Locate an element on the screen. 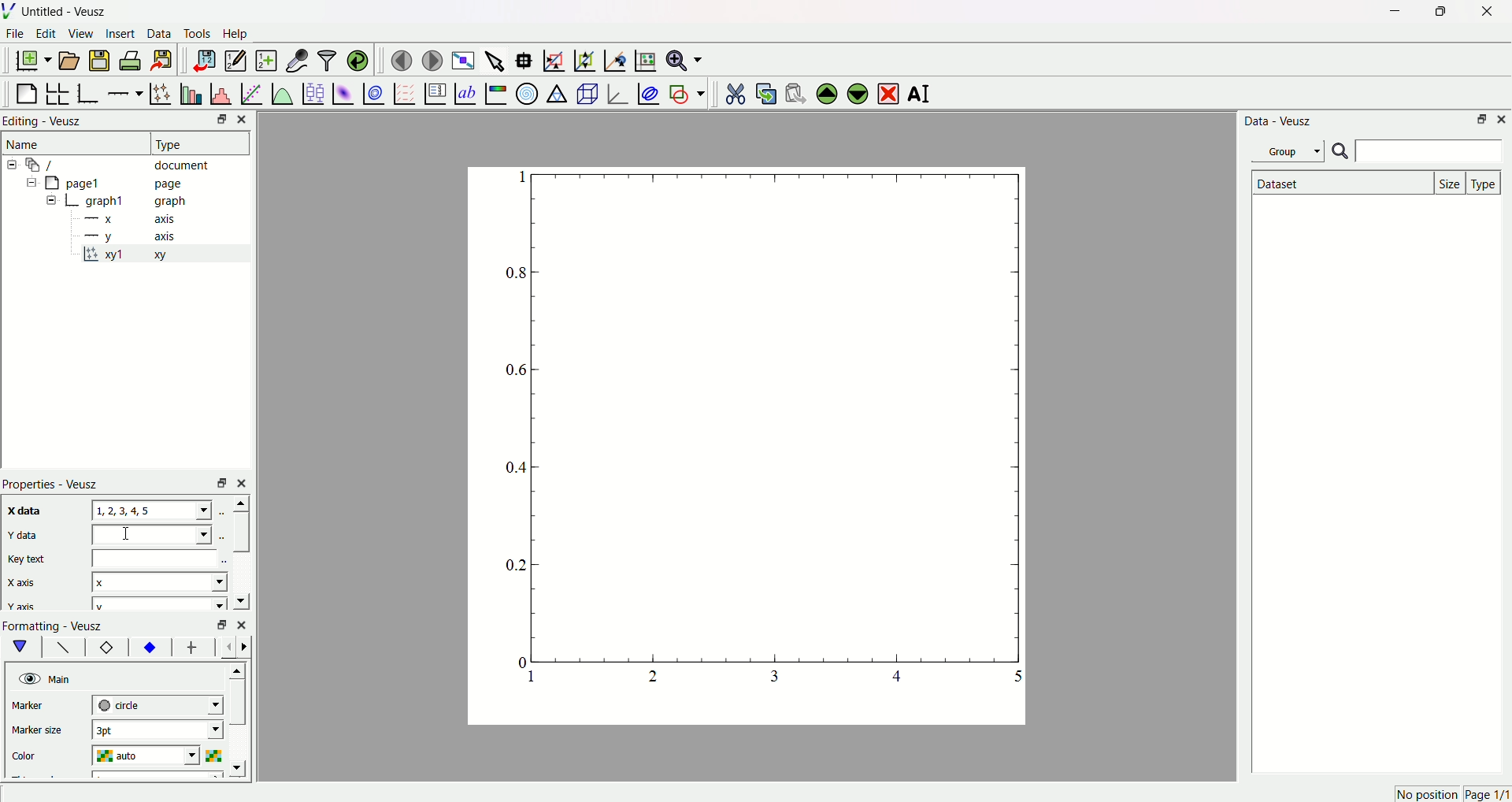 The width and height of the screenshot is (1512, 802). Searchbar is located at coordinates (1417, 152).